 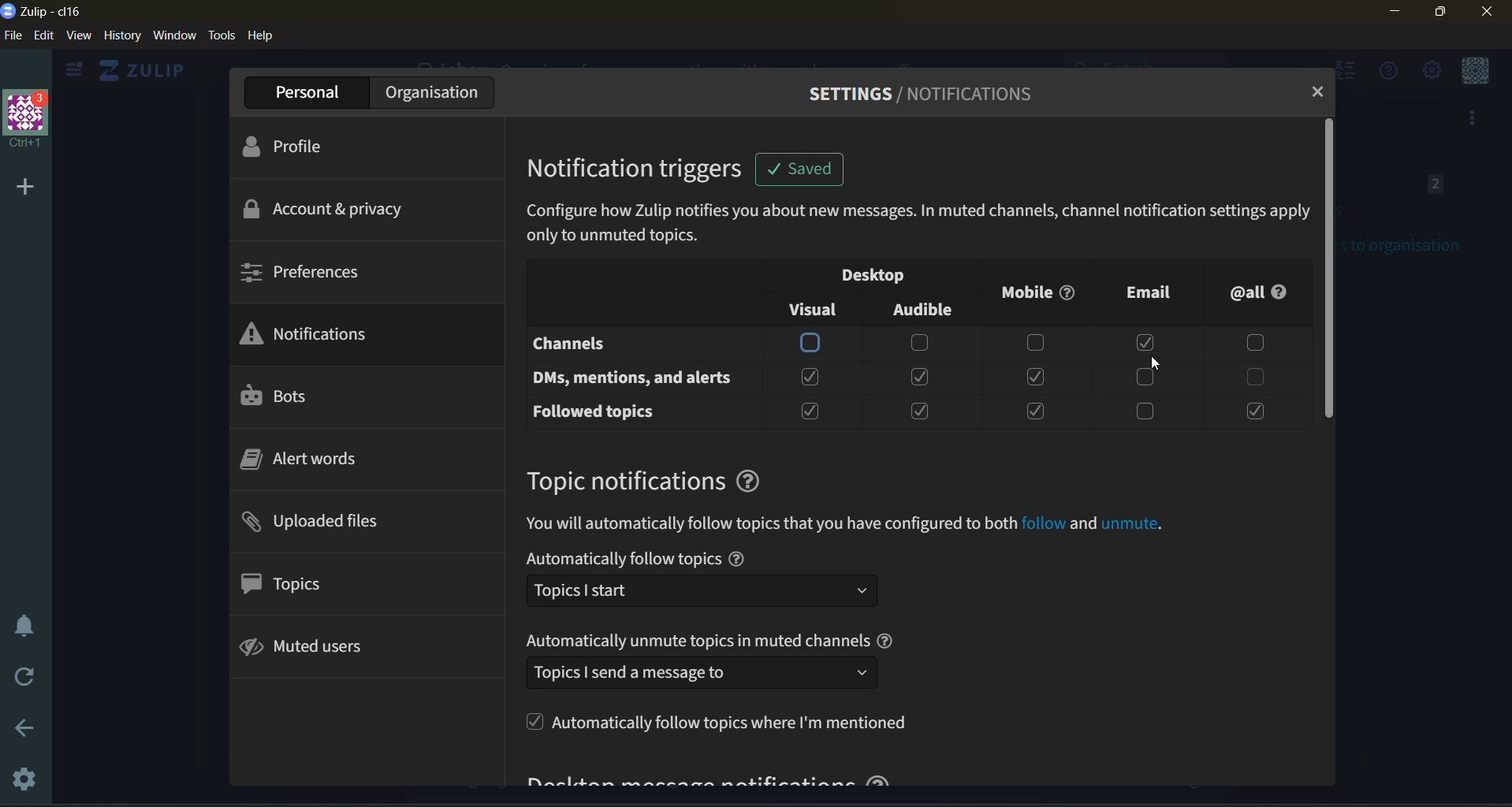 I want to click on file, so click(x=13, y=35).